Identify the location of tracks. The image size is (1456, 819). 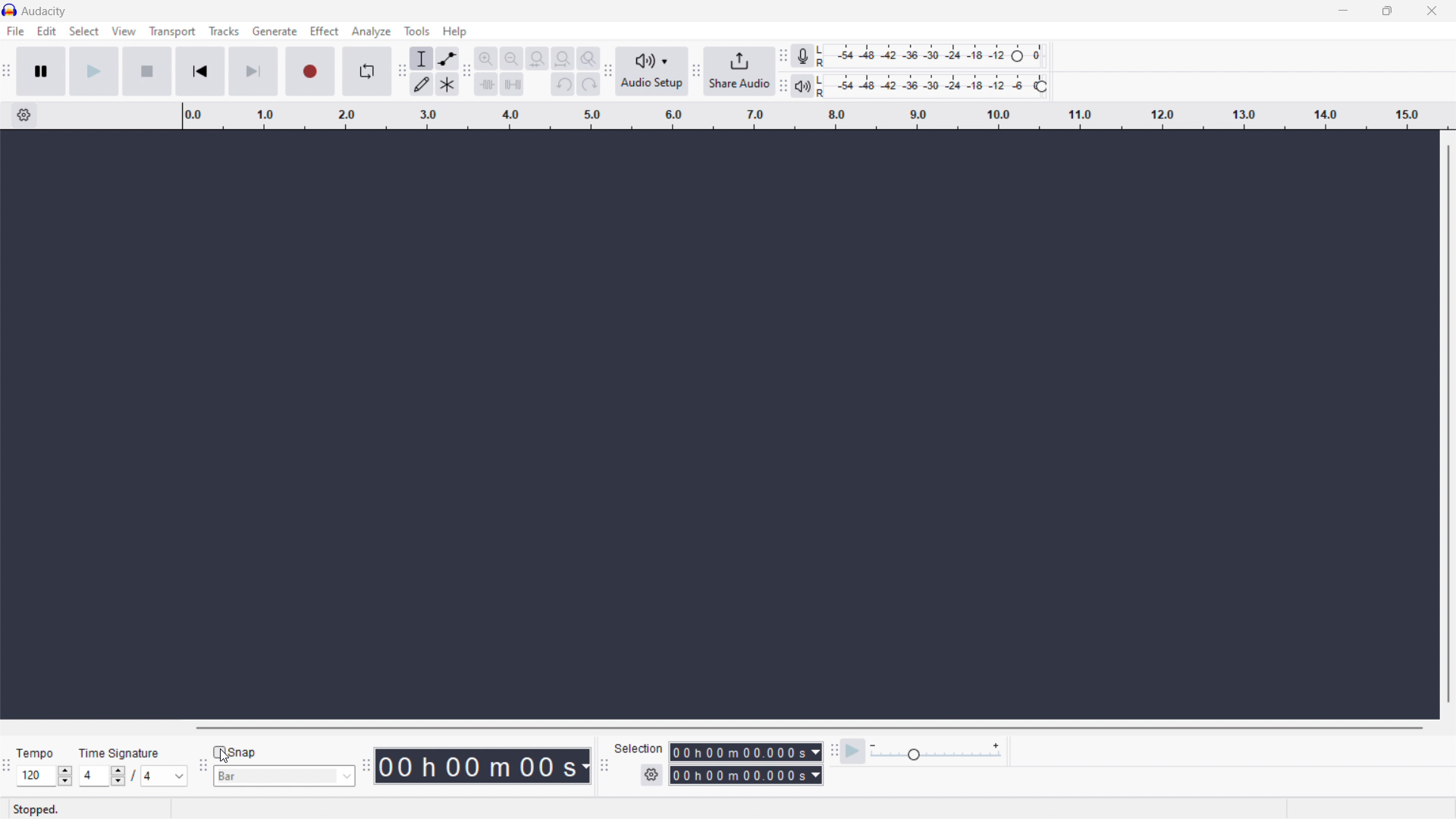
(224, 32).